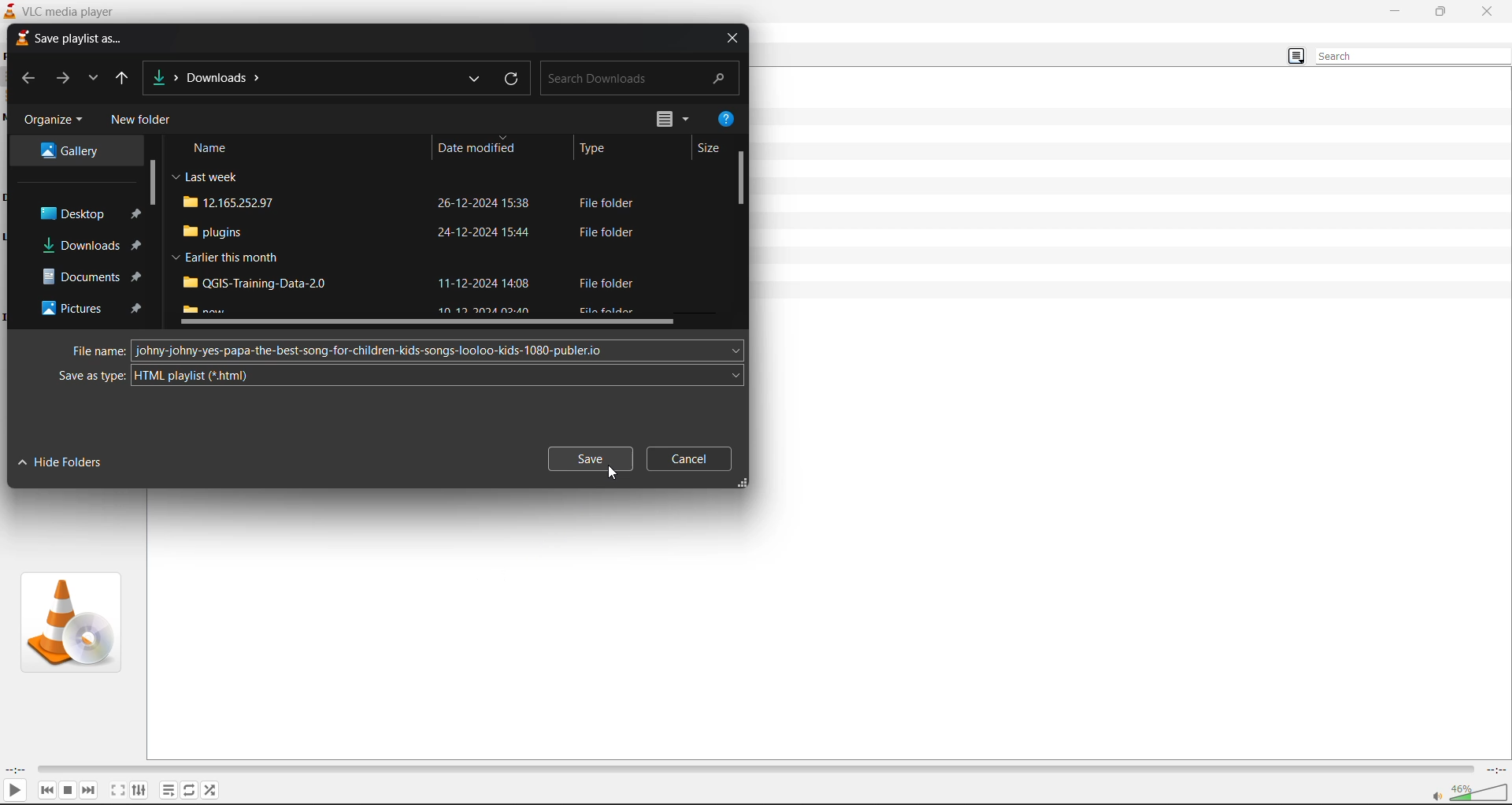  What do you see at coordinates (17, 789) in the screenshot?
I see `play` at bounding box center [17, 789].